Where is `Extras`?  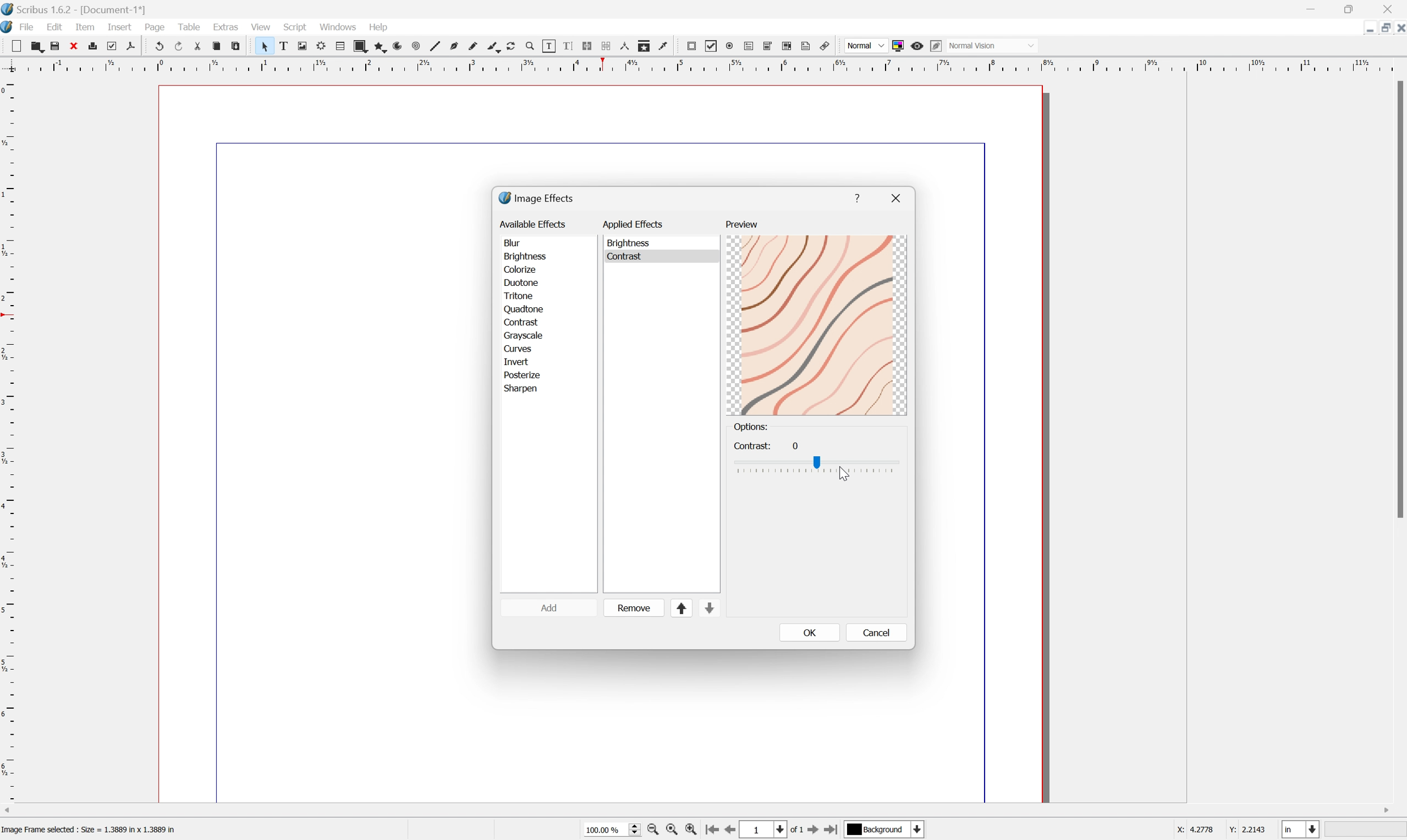
Extras is located at coordinates (226, 29).